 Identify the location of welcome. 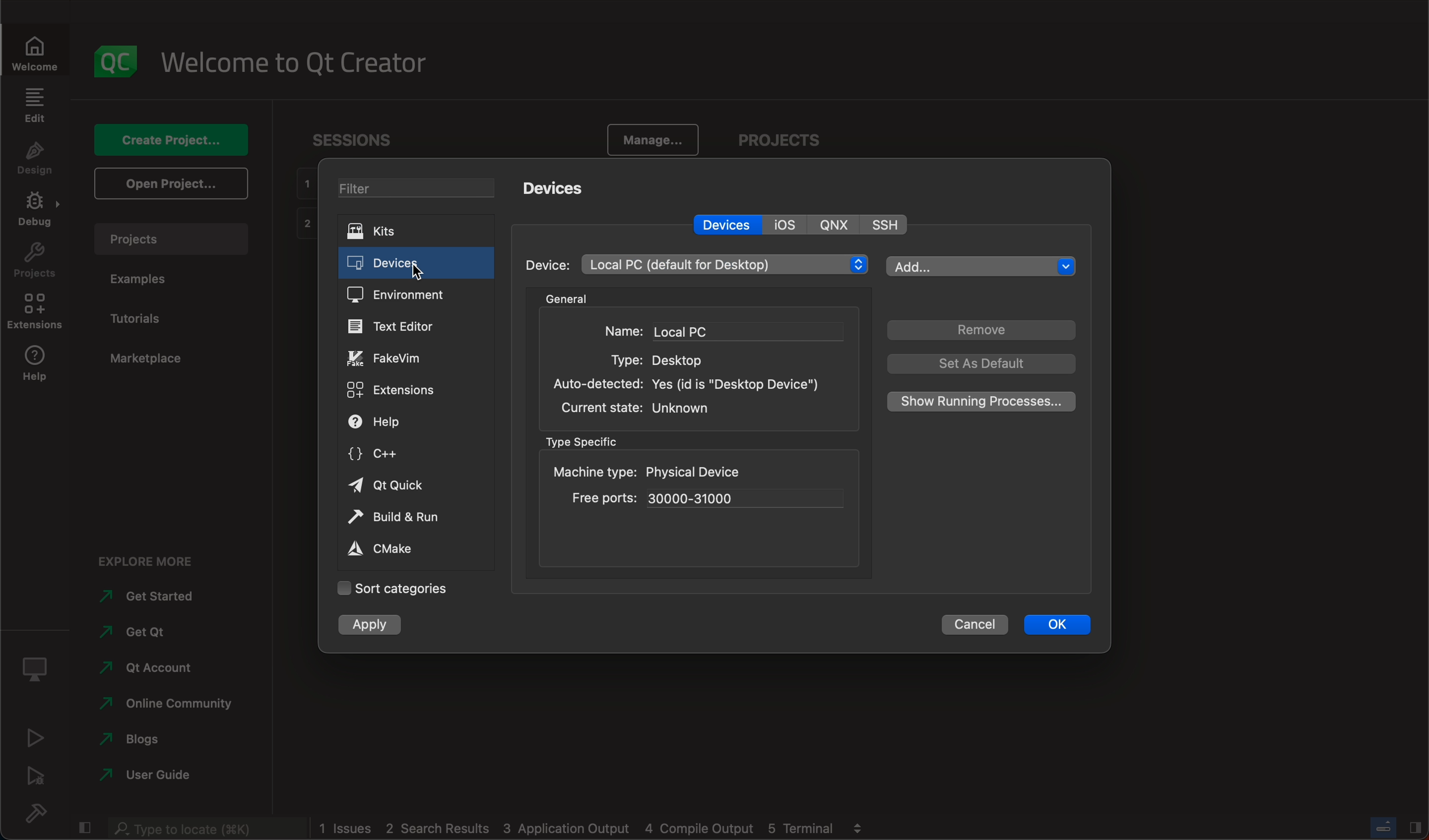
(36, 54).